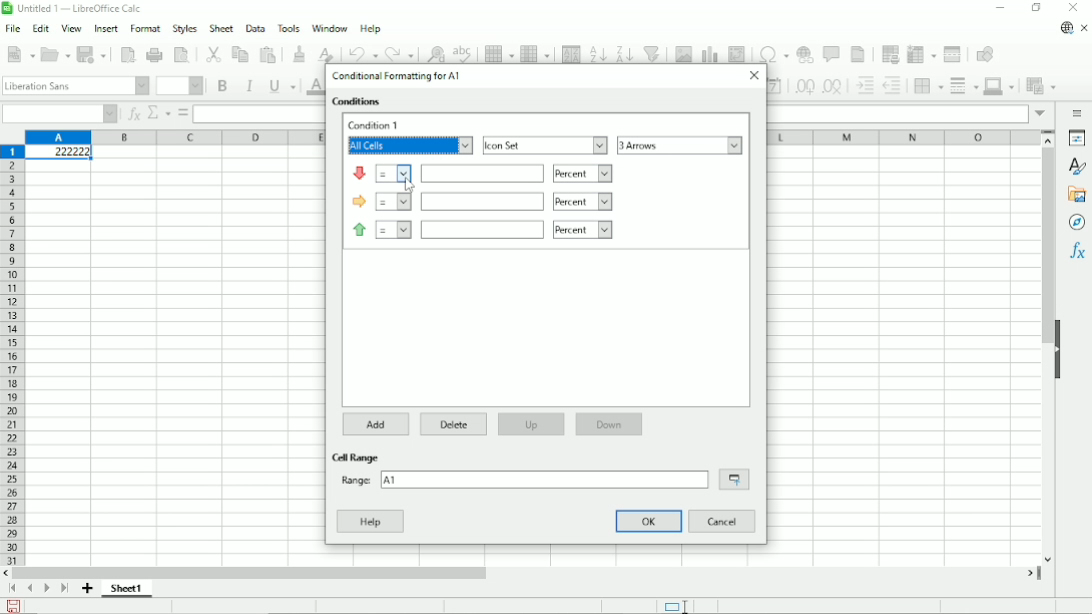  I want to click on Split window, so click(953, 53).